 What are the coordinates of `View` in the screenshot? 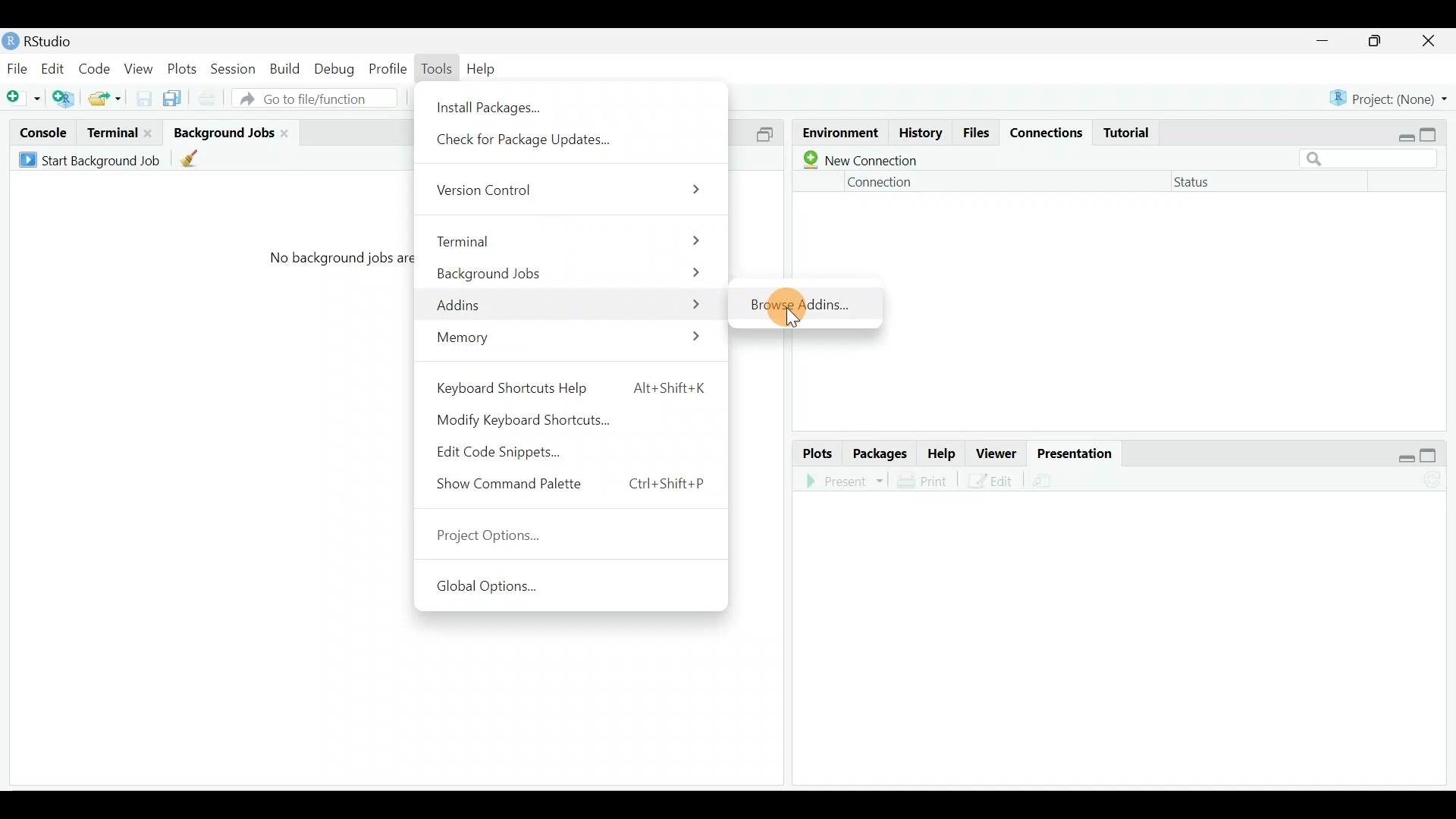 It's located at (140, 70).